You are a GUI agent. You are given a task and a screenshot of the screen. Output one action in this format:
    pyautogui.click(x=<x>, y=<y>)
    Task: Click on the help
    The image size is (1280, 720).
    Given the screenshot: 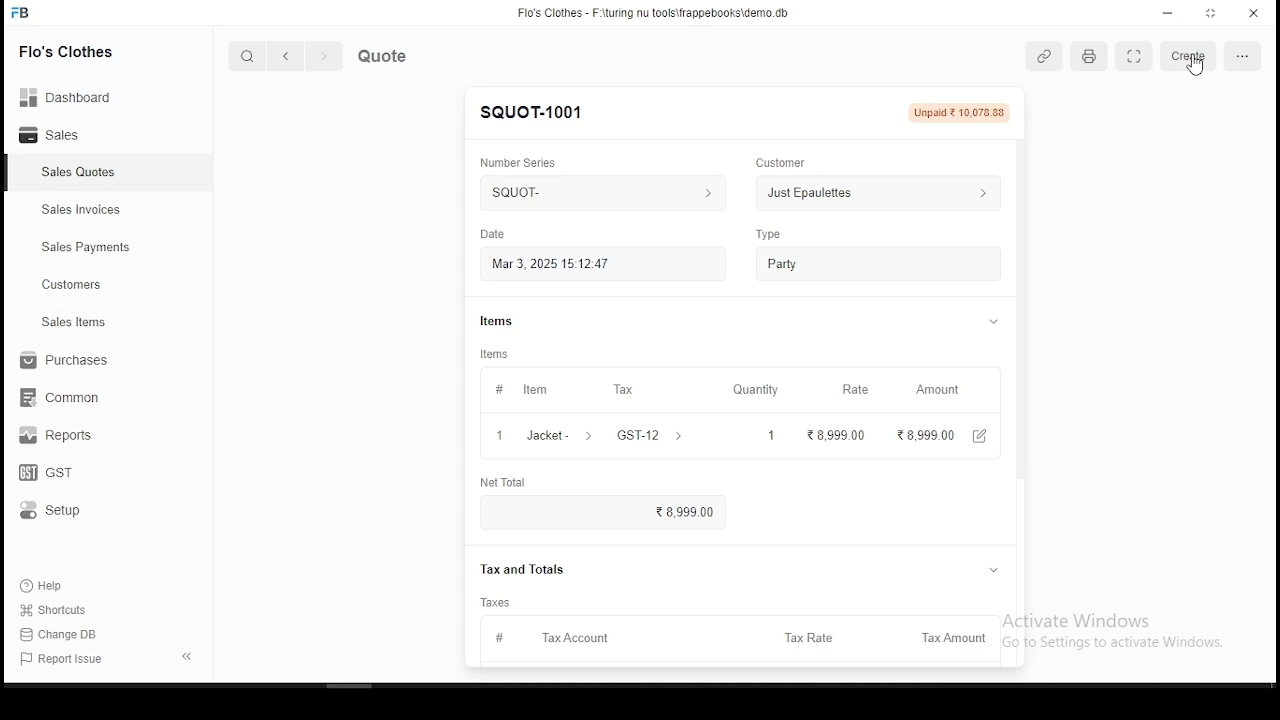 What is the action you would take?
    pyautogui.click(x=48, y=585)
    